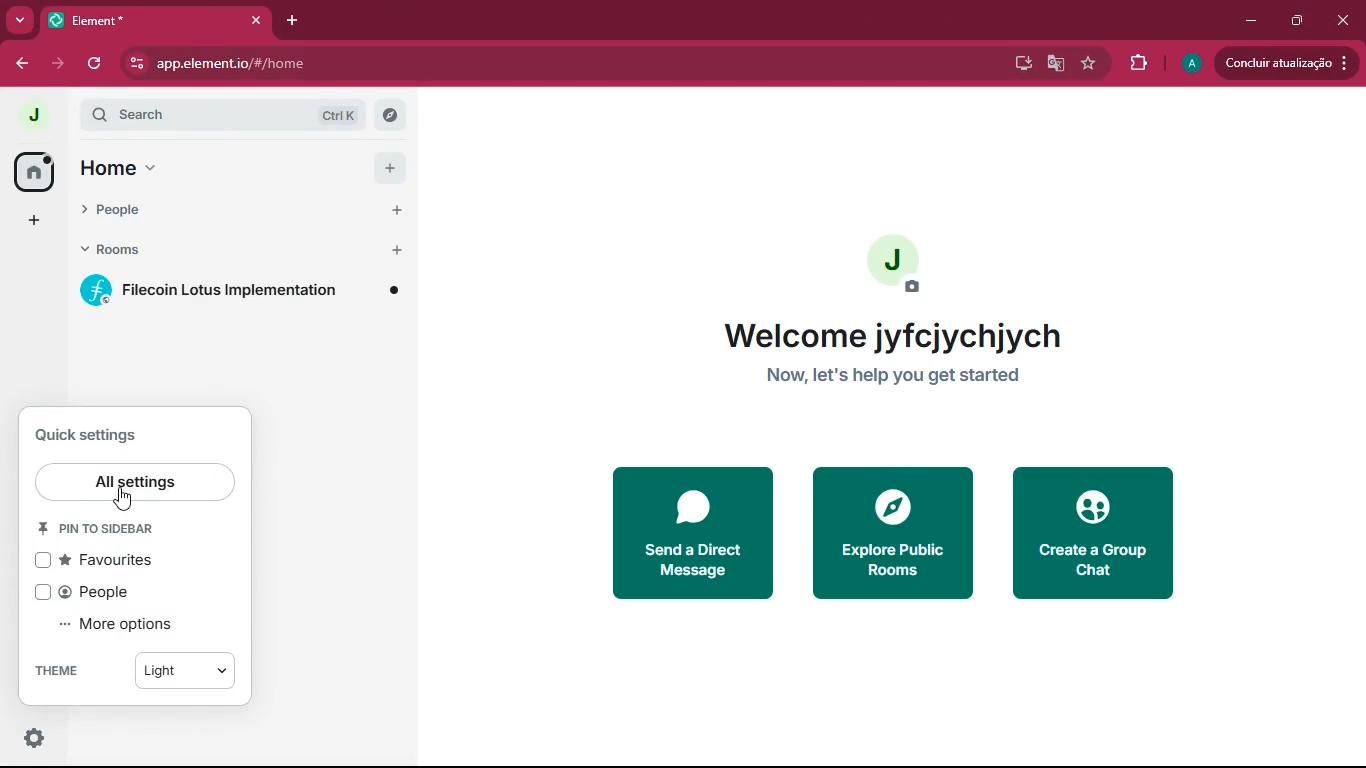 This screenshot has width=1366, height=768. I want to click on room, so click(245, 294).